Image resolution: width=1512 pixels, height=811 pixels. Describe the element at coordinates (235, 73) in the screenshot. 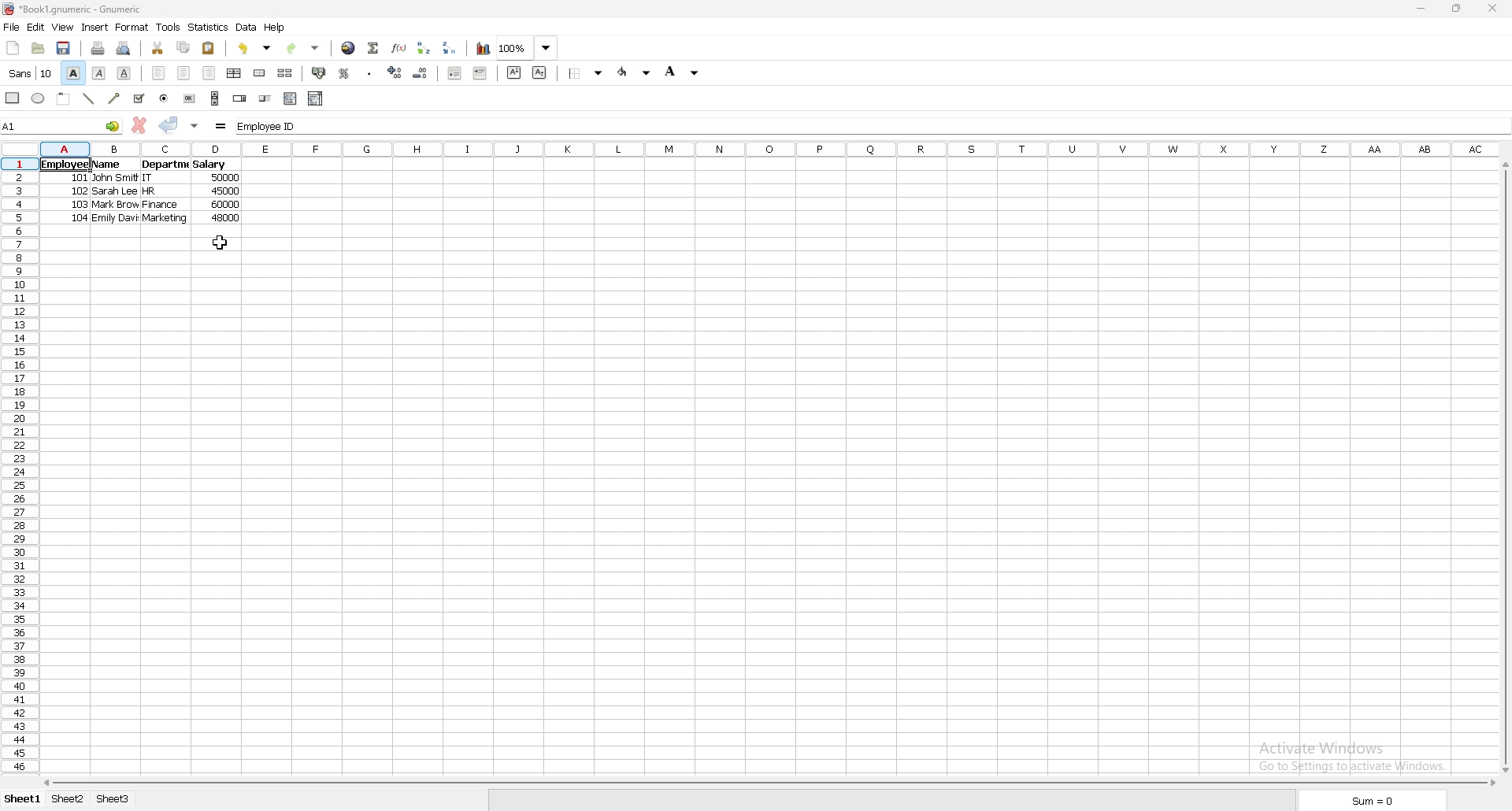

I see `centre horizontally` at that location.